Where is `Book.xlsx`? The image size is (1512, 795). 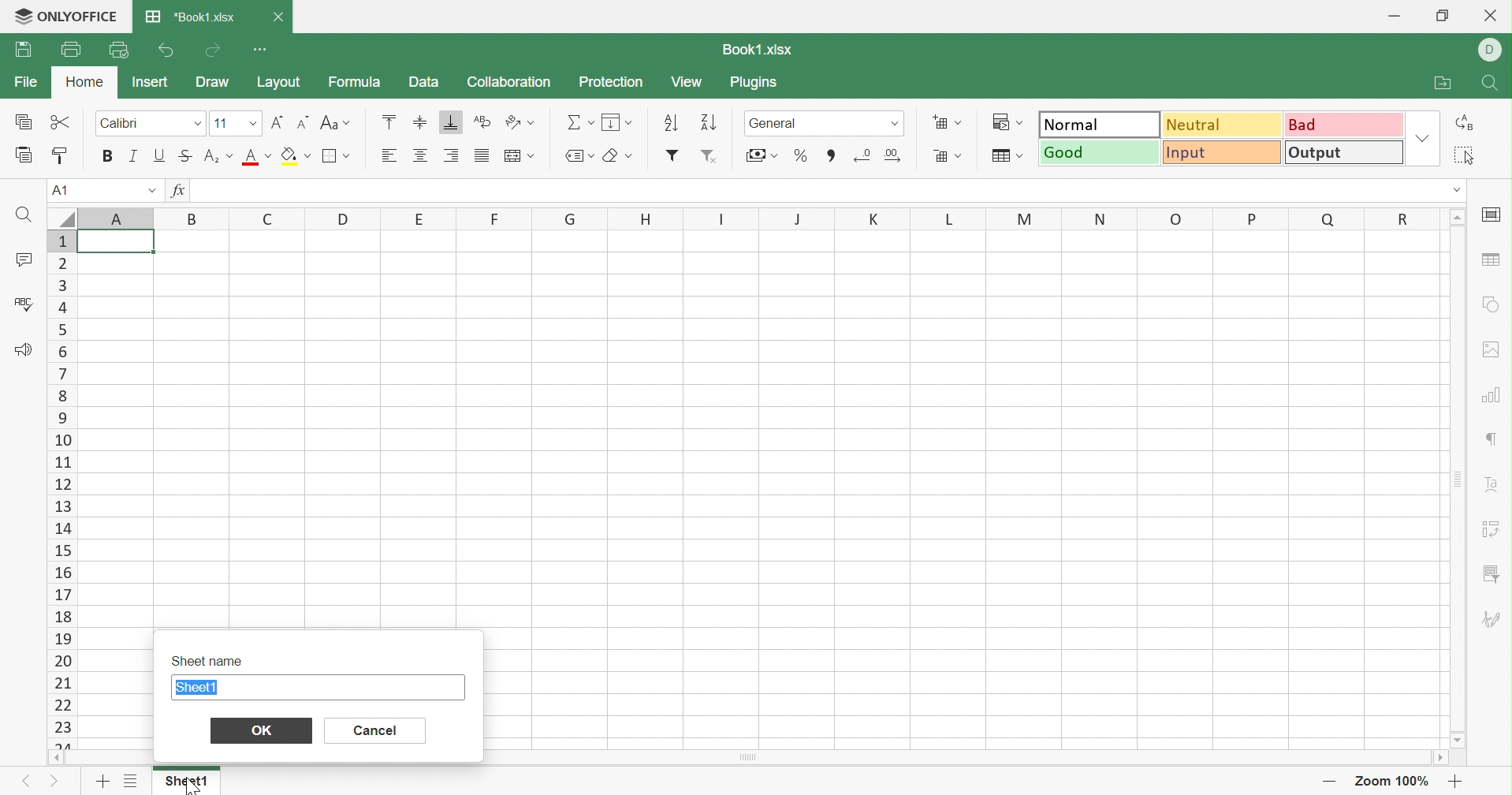 Book.xlsx is located at coordinates (190, 15).